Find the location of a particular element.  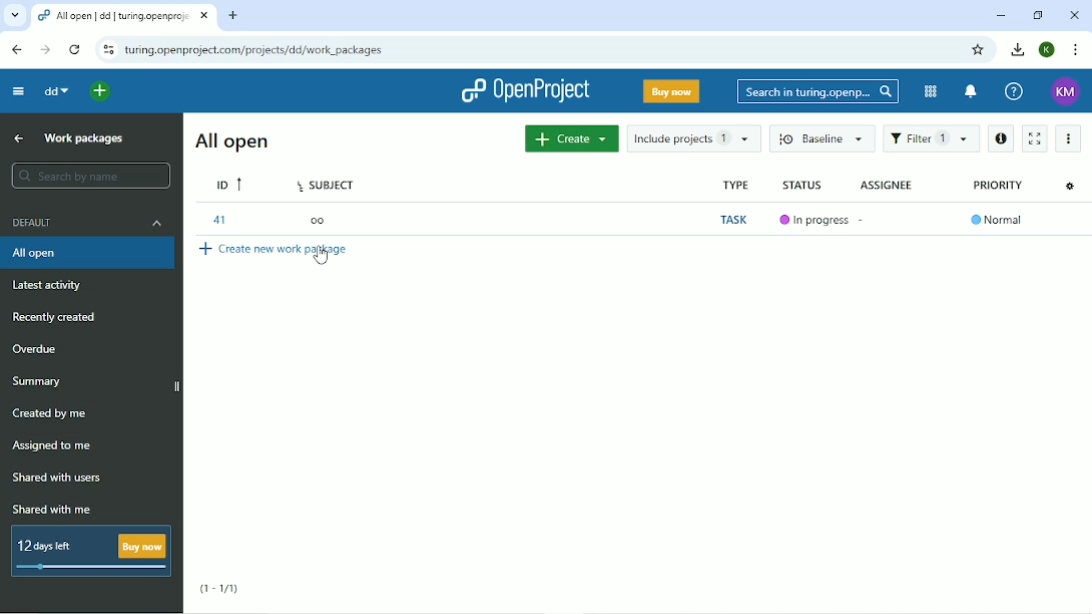

Type is located at coordinates (732, 186).